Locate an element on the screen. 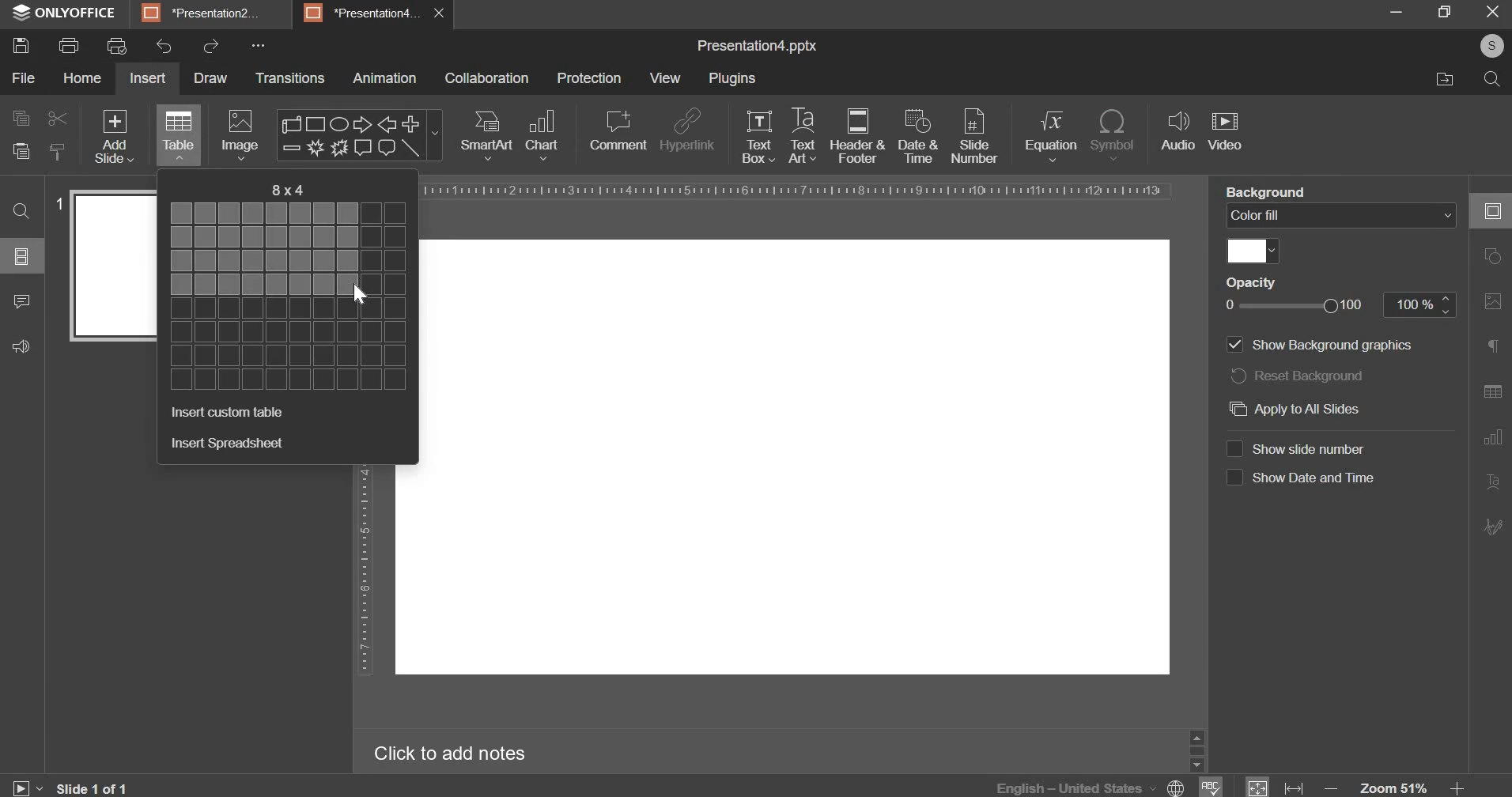  shapes is located at coordinates (358, 135).